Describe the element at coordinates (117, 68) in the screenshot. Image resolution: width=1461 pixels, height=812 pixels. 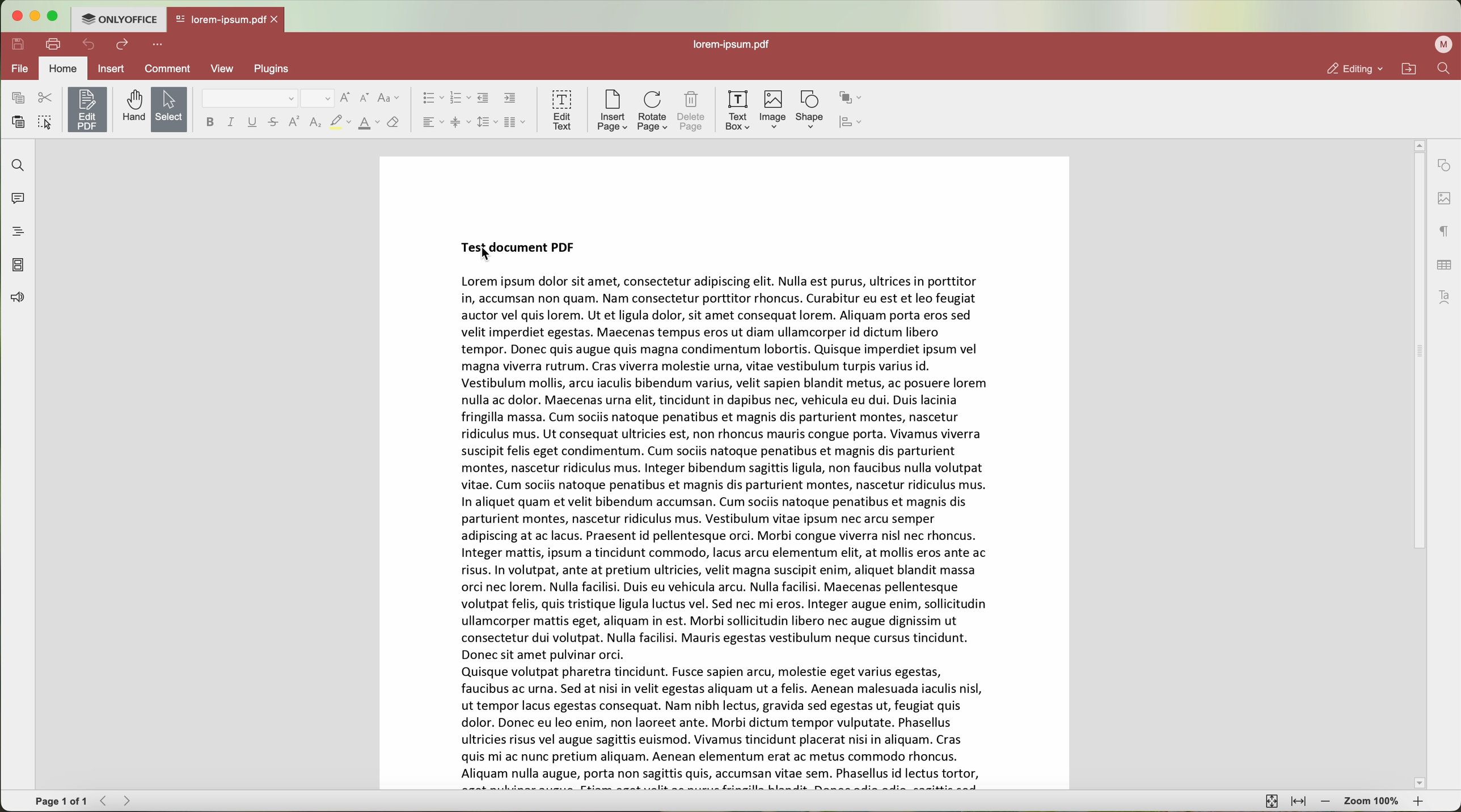
I see `insert` at that location.